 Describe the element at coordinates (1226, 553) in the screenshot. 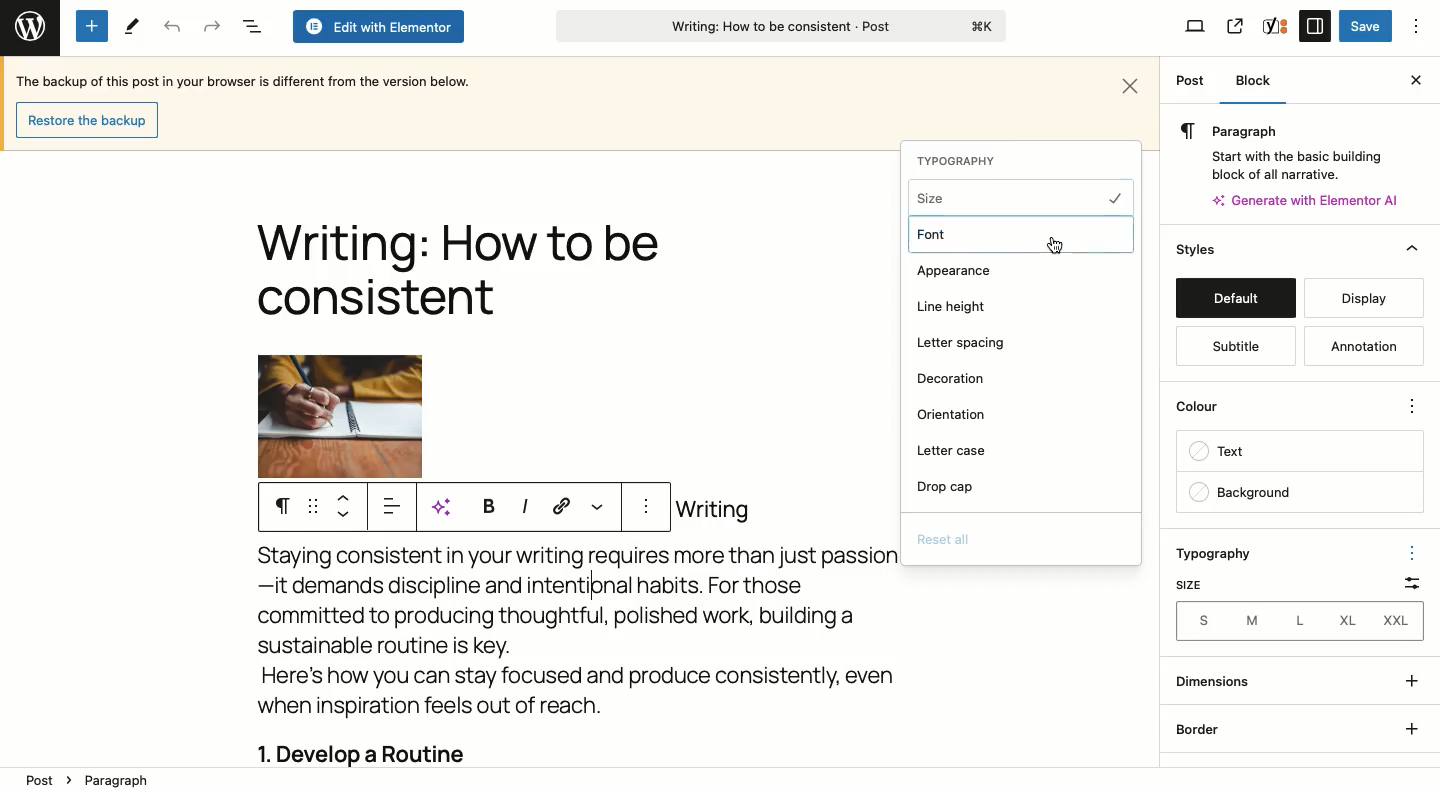

I see `Typography` at that location.